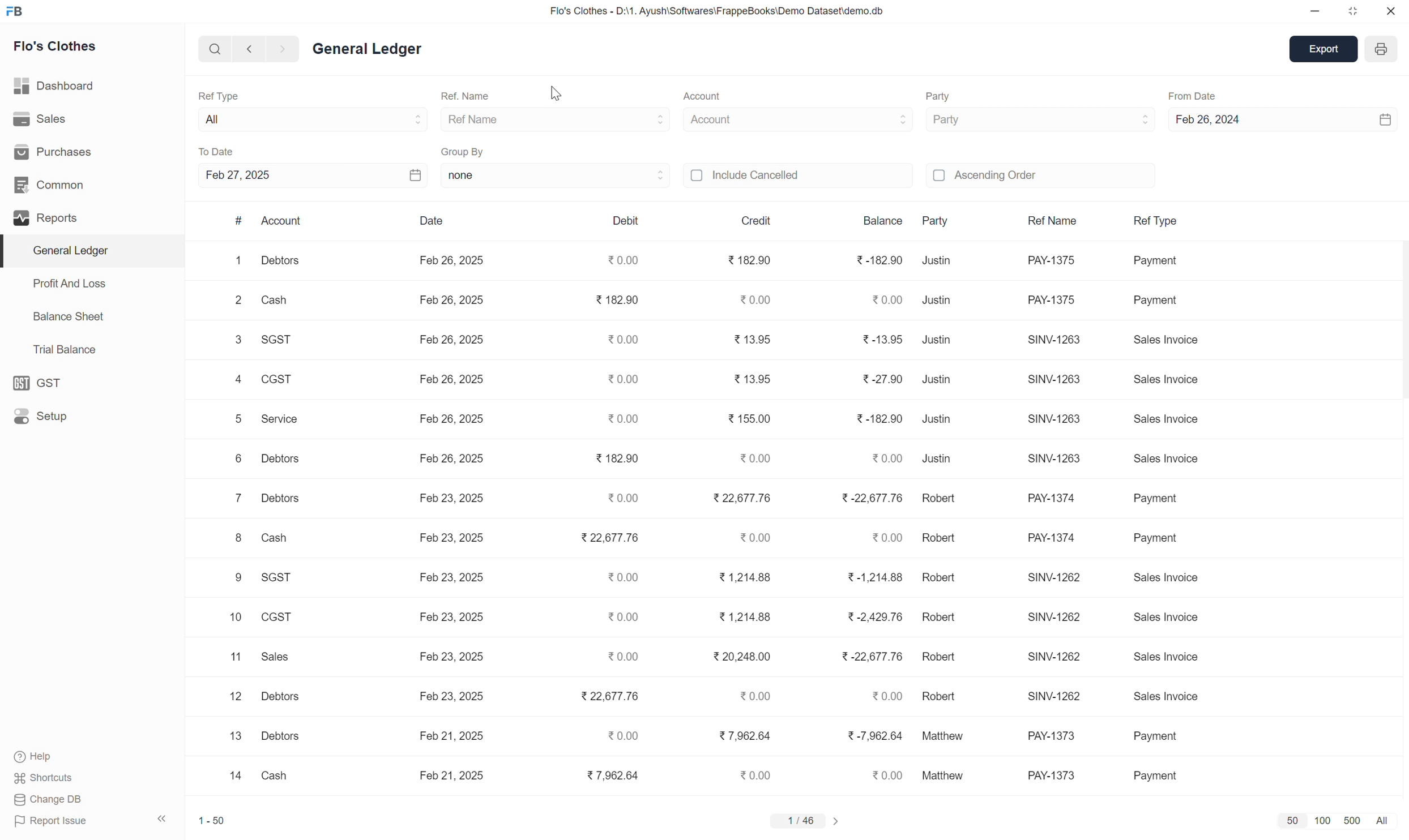 This screenshot has height=840, width=1409. What do you see at coordinates (278, 379) in the screenshot?
I see `cgst` at bounding box center [278, 379].